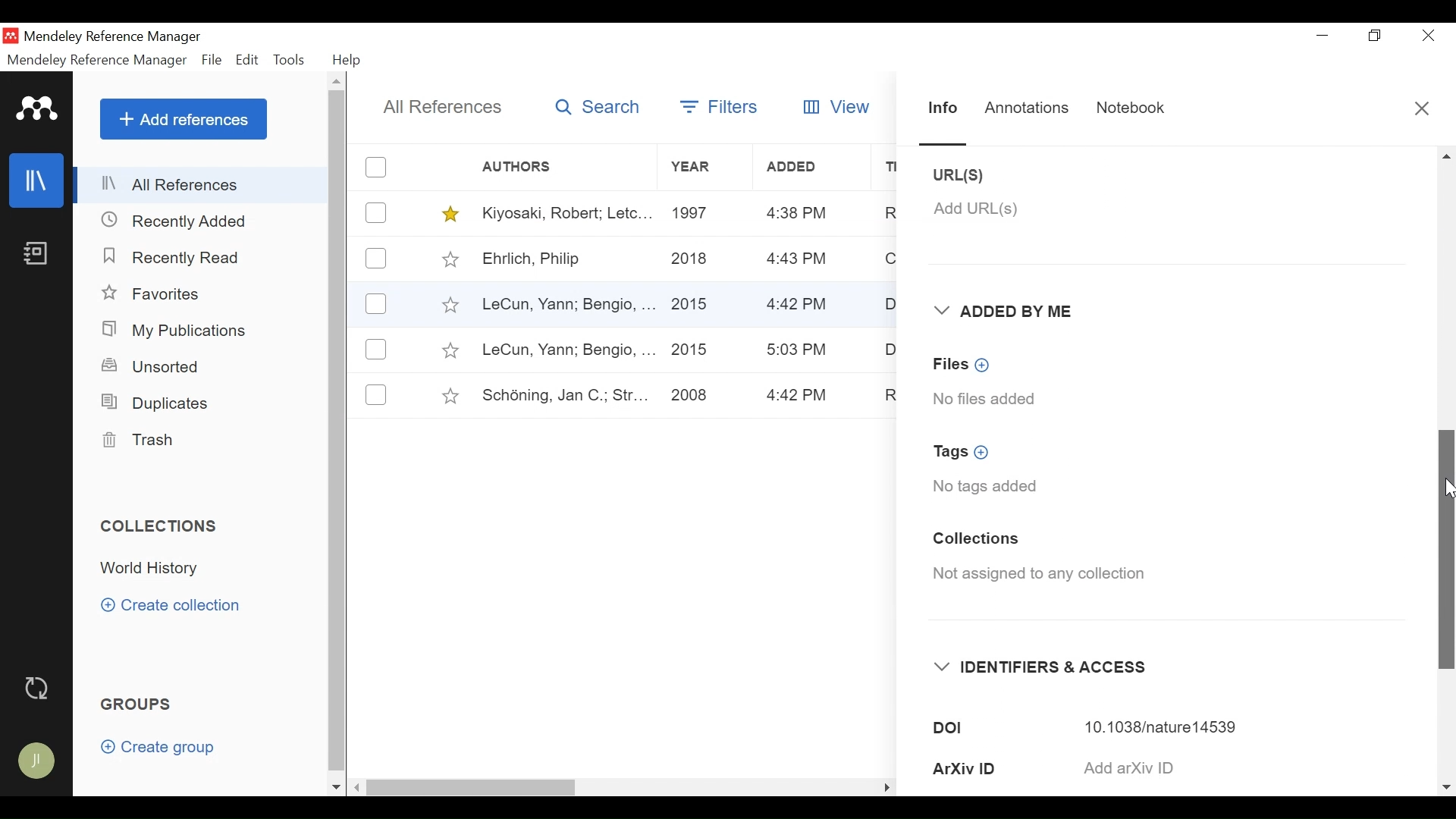 This screenshot has width=1456, height=819. I want to click on Horizontal Scroll bar, so click(598, 786).